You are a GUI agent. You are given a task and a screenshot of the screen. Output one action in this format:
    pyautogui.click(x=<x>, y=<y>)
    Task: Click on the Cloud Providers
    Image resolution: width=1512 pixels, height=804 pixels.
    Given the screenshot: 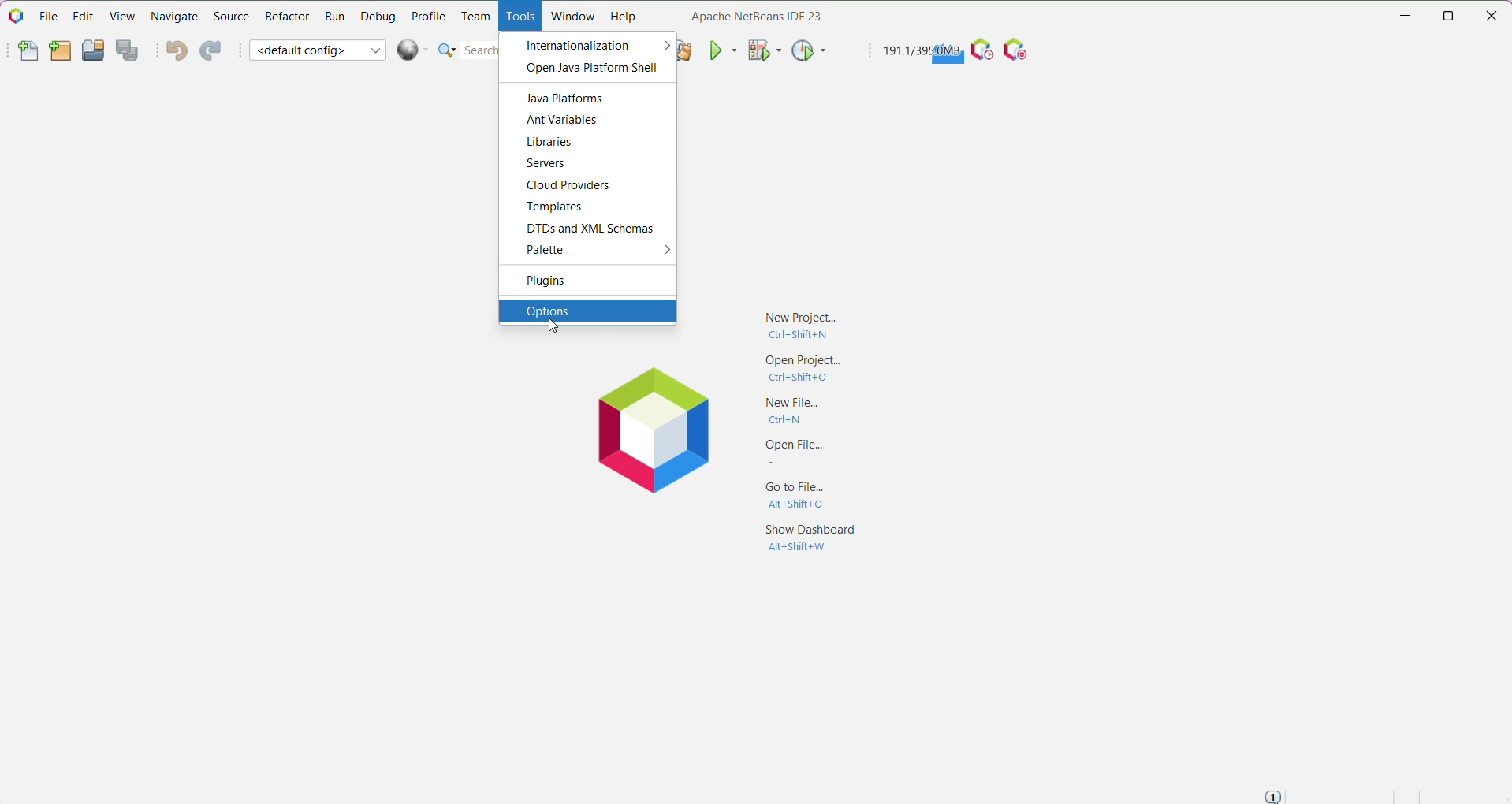 What is the action you would take?
    pyautogui.click(x=572, y=185)
    